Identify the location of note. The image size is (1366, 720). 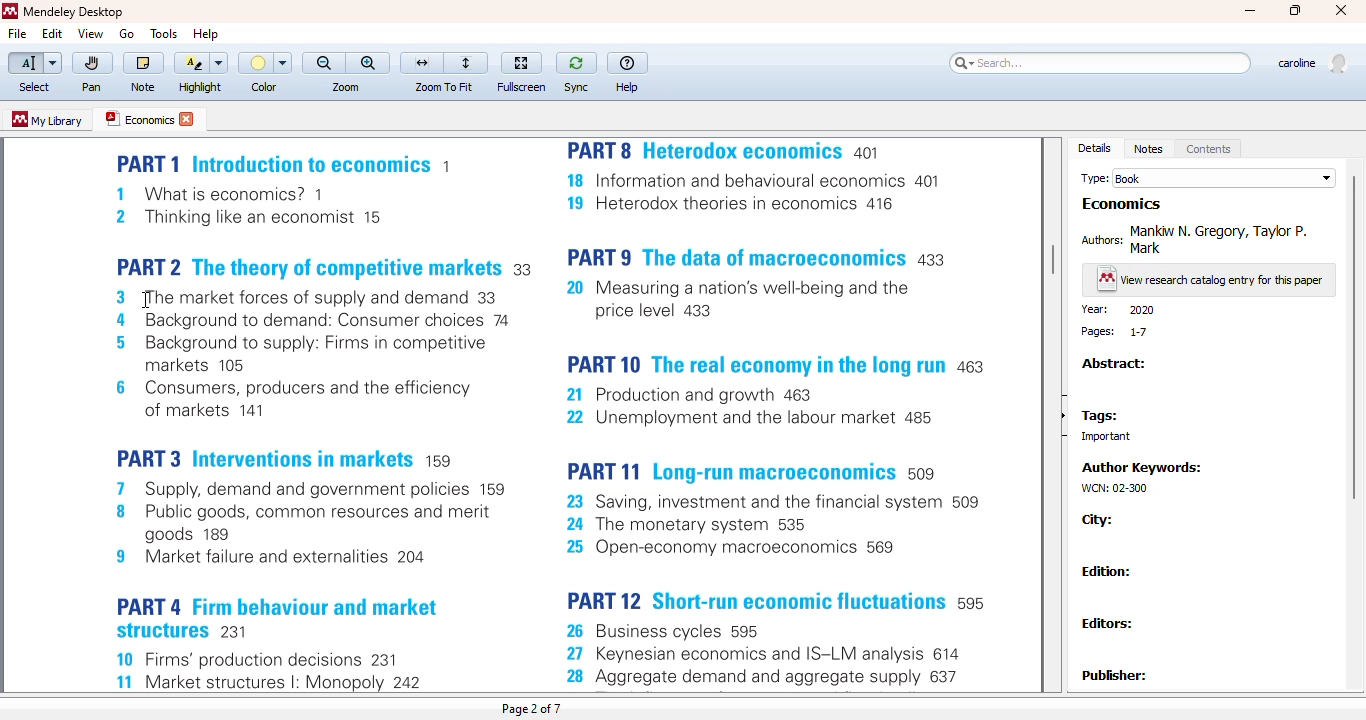
(142, 64).